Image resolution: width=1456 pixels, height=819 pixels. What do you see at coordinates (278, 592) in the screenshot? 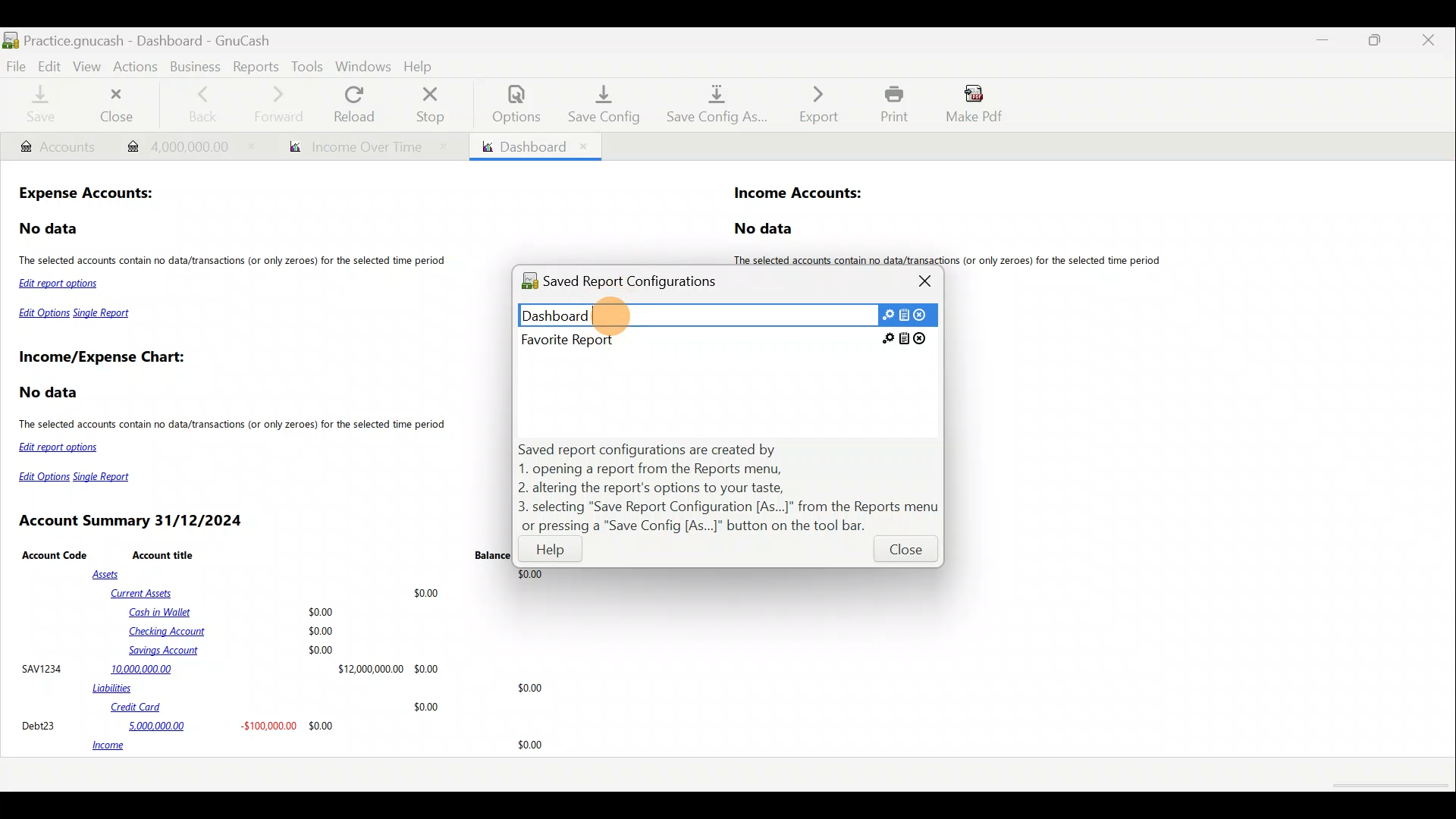
I see `Current Assets $0.00` at bounding box center [278, 592].